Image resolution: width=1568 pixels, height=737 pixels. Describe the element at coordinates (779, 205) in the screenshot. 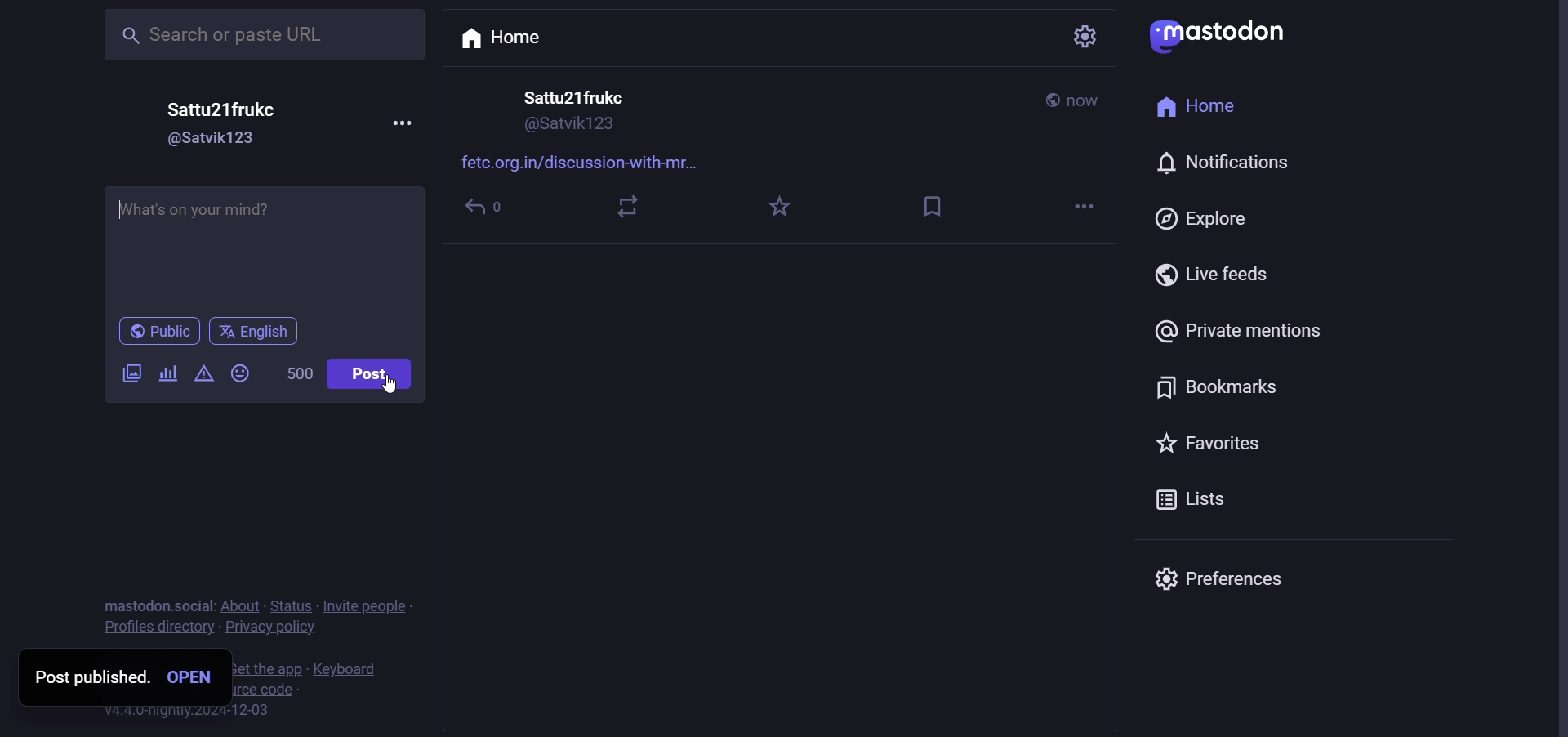

I see `favorites` at that location.